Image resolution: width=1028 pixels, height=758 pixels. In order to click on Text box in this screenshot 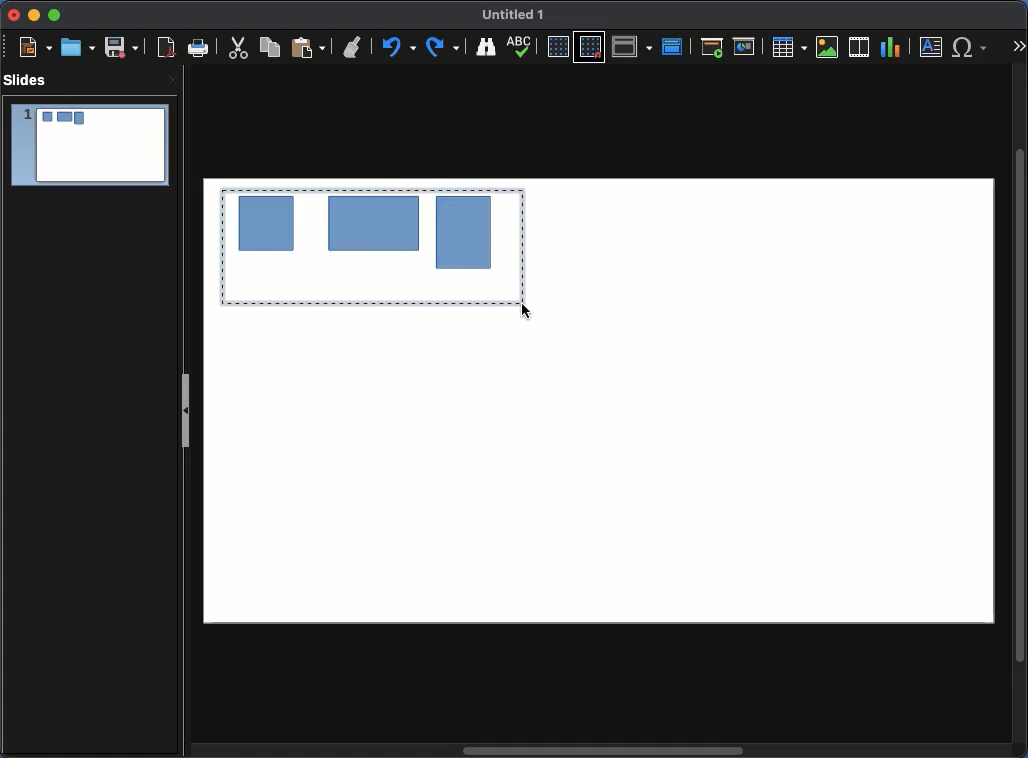, I will do `click(932, 47)`.